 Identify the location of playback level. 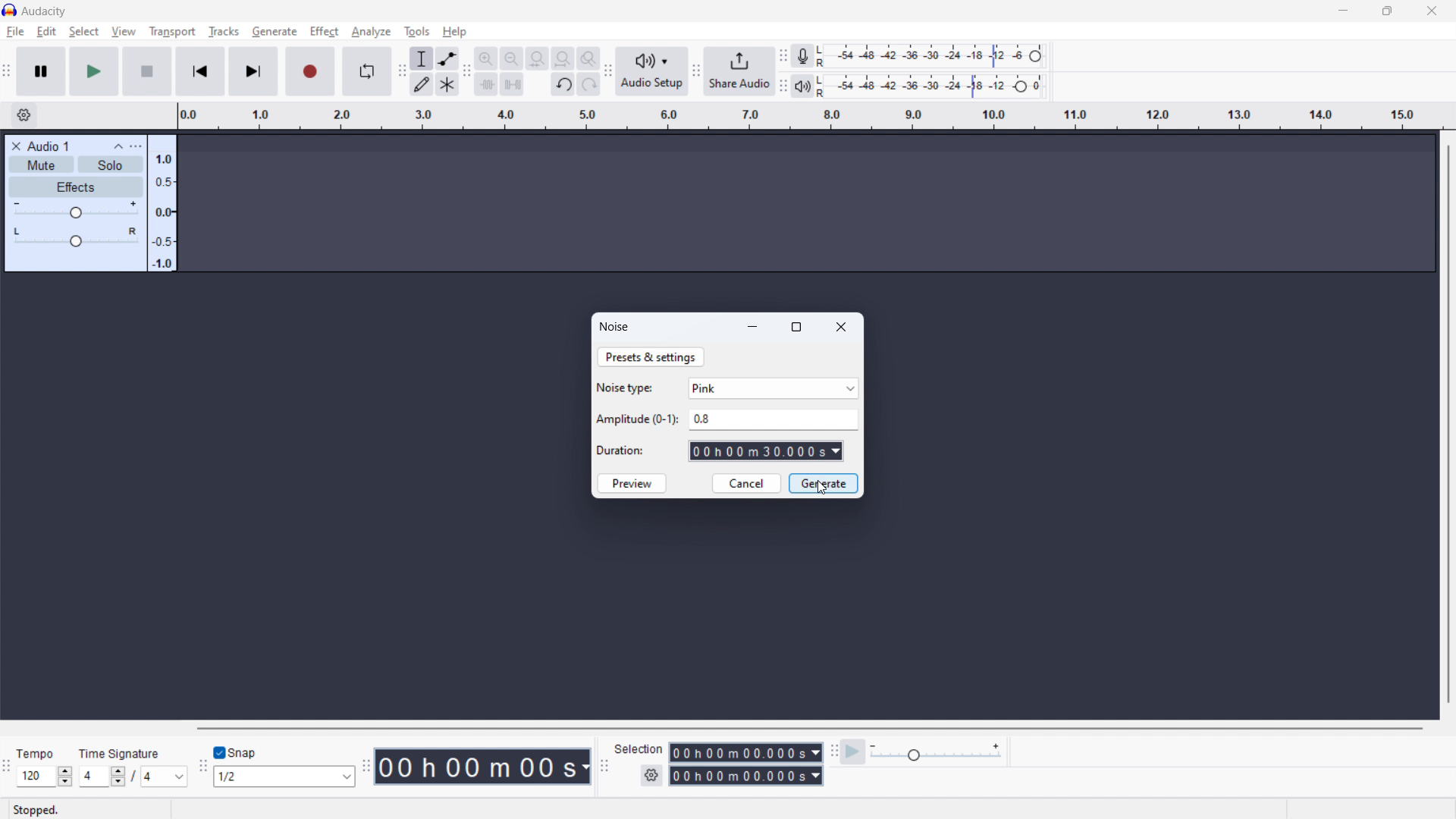
(931, 86).